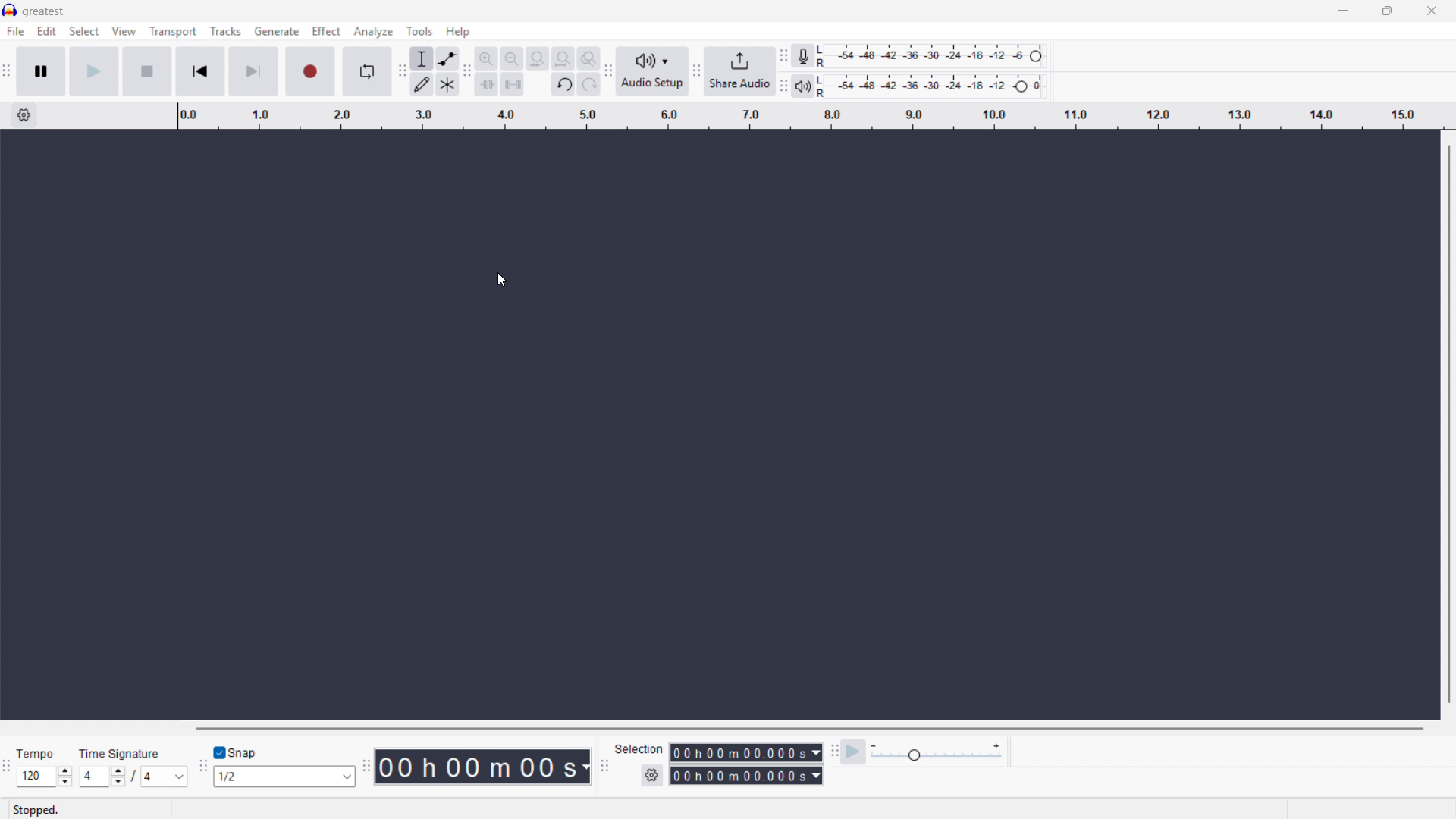  Describe the element at coordinates (84, 30) in the screenshot. I see `Select ` at that location.